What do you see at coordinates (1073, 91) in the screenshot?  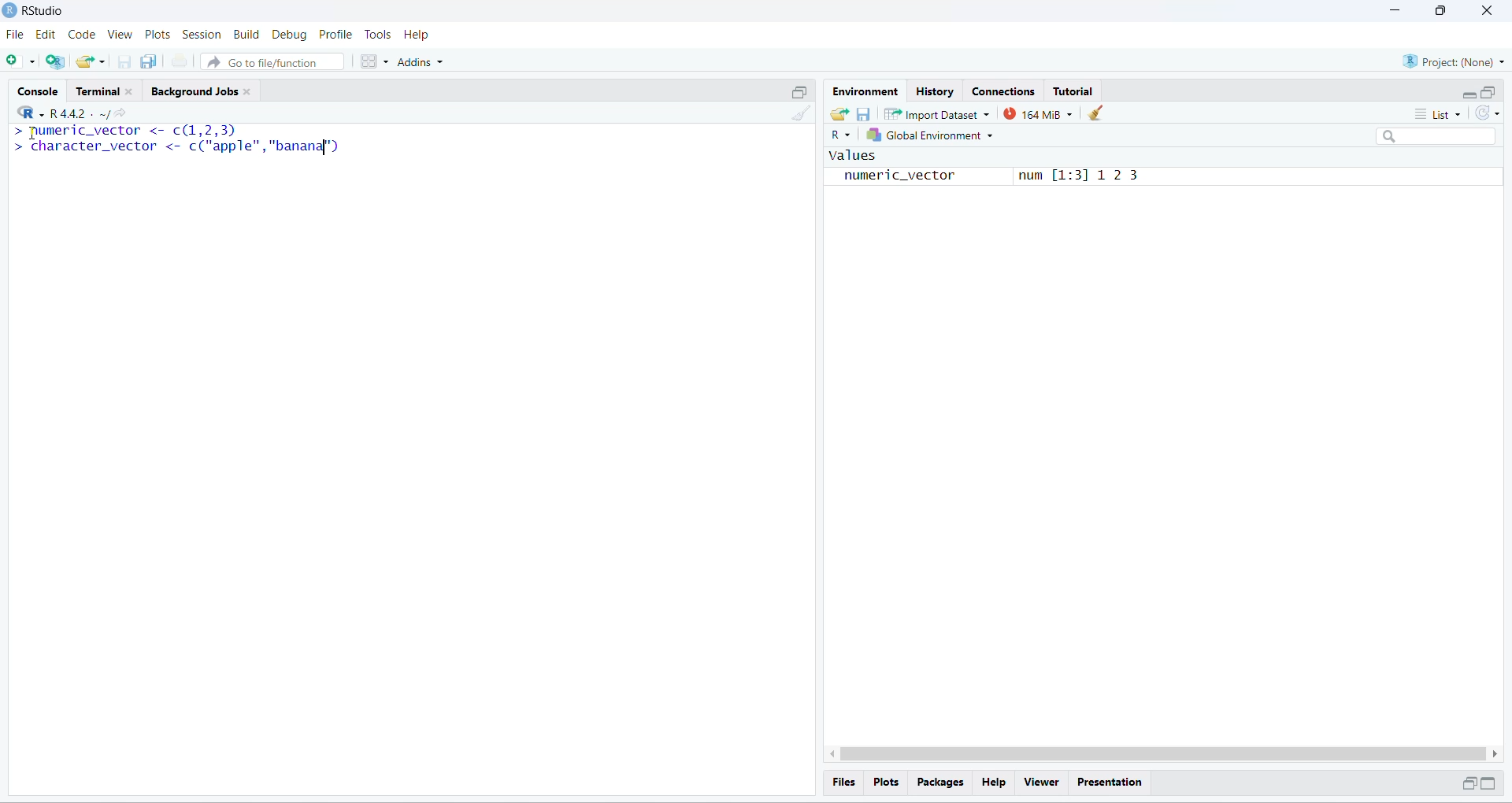 I see `Tutorial` at bounding box center [1073, 91].